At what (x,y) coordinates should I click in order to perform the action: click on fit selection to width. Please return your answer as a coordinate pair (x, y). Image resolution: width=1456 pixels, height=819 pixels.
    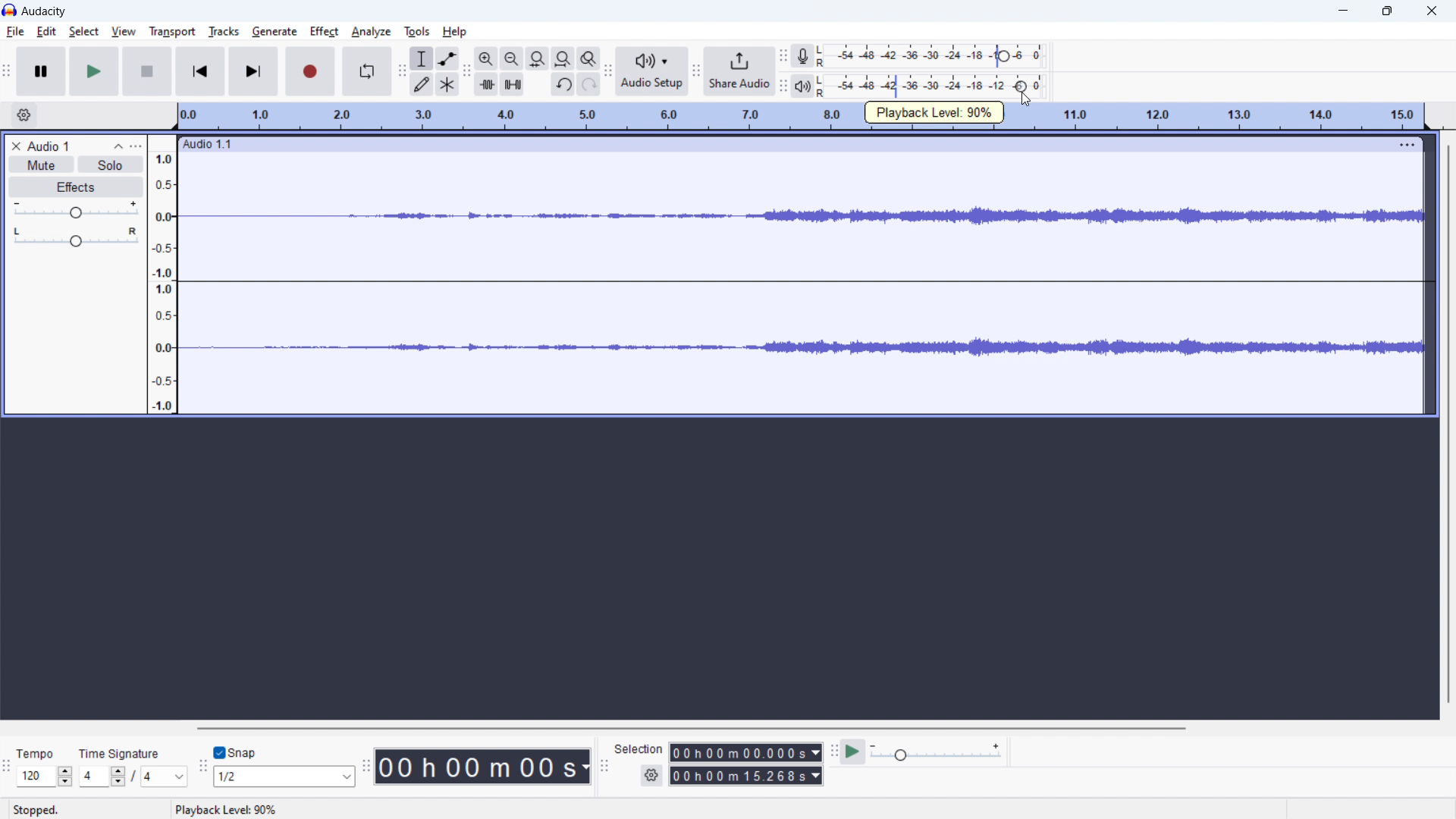
    Looking at the image, I should click on (537, 58).